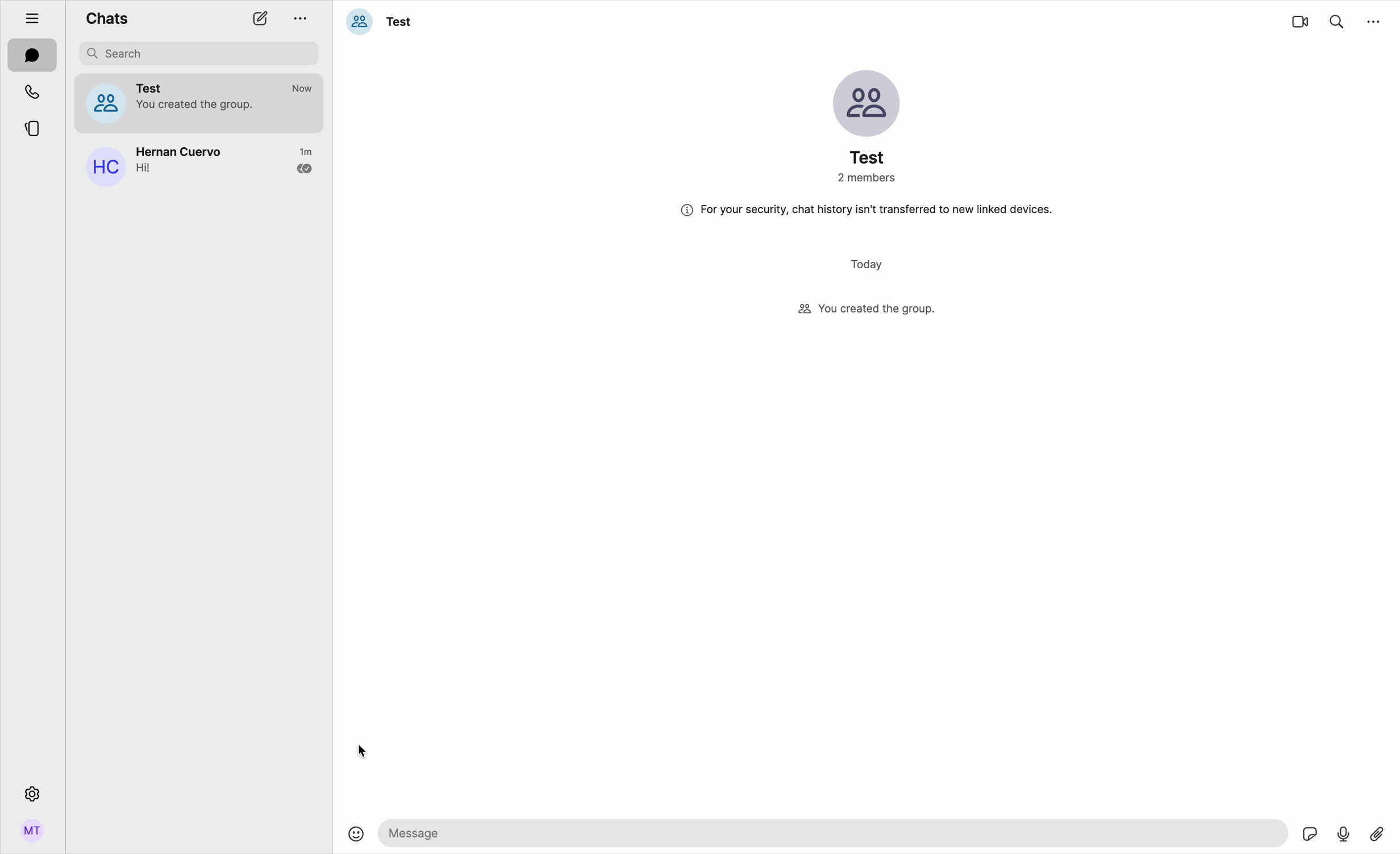 The image size is (1400, 854). What do you see at coordinates (32, 56) in the screenshot?
I see `chats` at bounding box center [32, 56].